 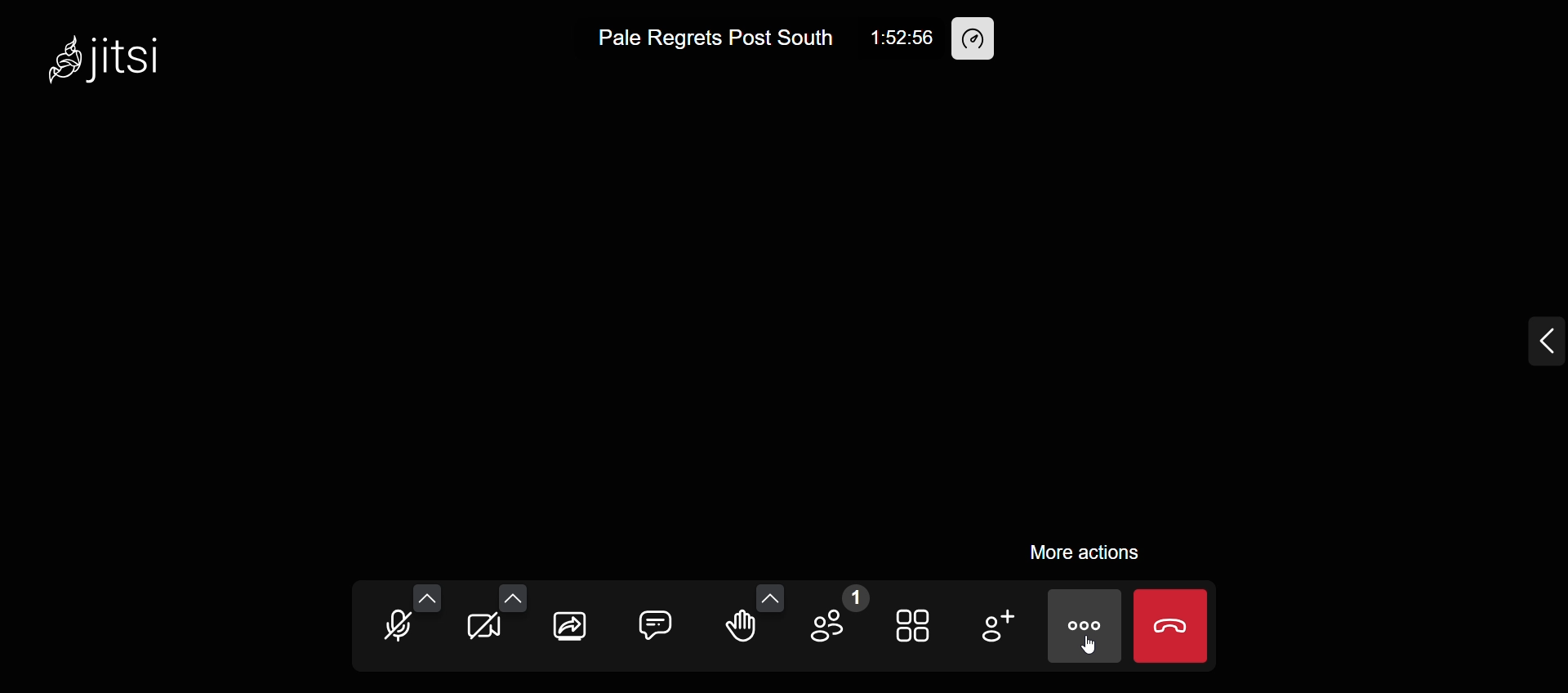 What do you see at coordinates (714, 39) in the screenshot?
I see `Pale Regrets Post South` at bounding box center [714, 39].